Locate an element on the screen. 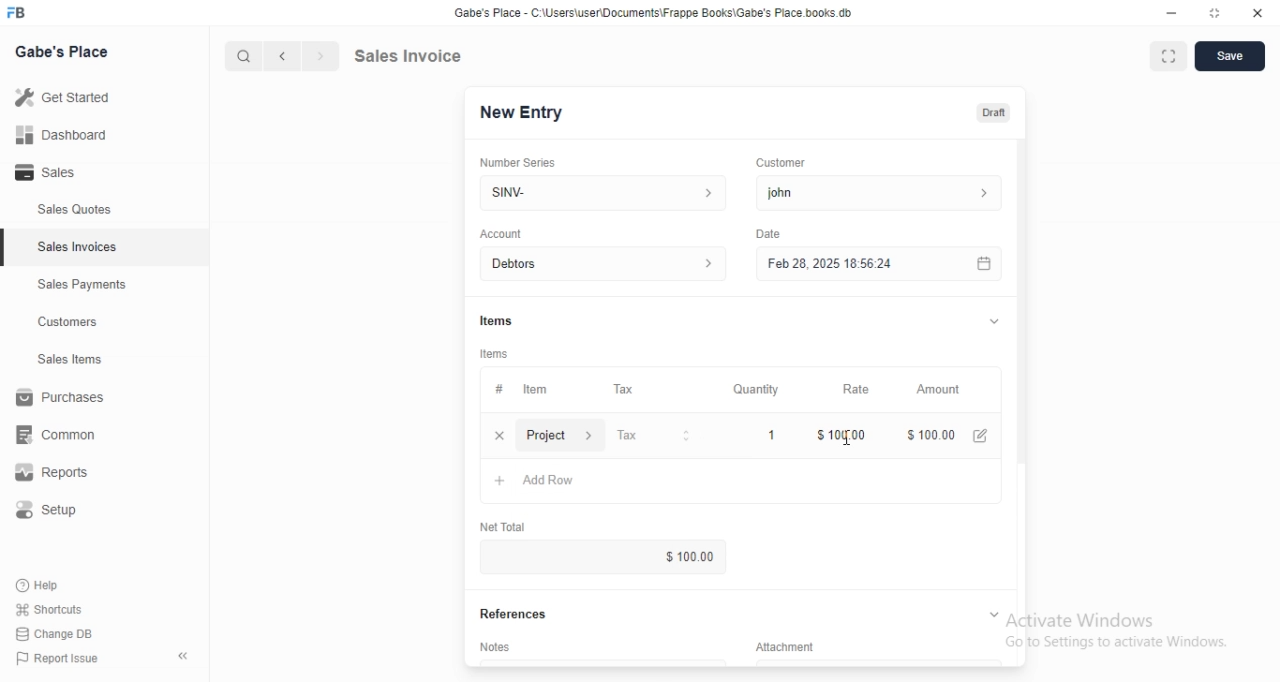 This screenshot has height=682, width=1280. Sales Quotes is located at coordinates (64, 210).